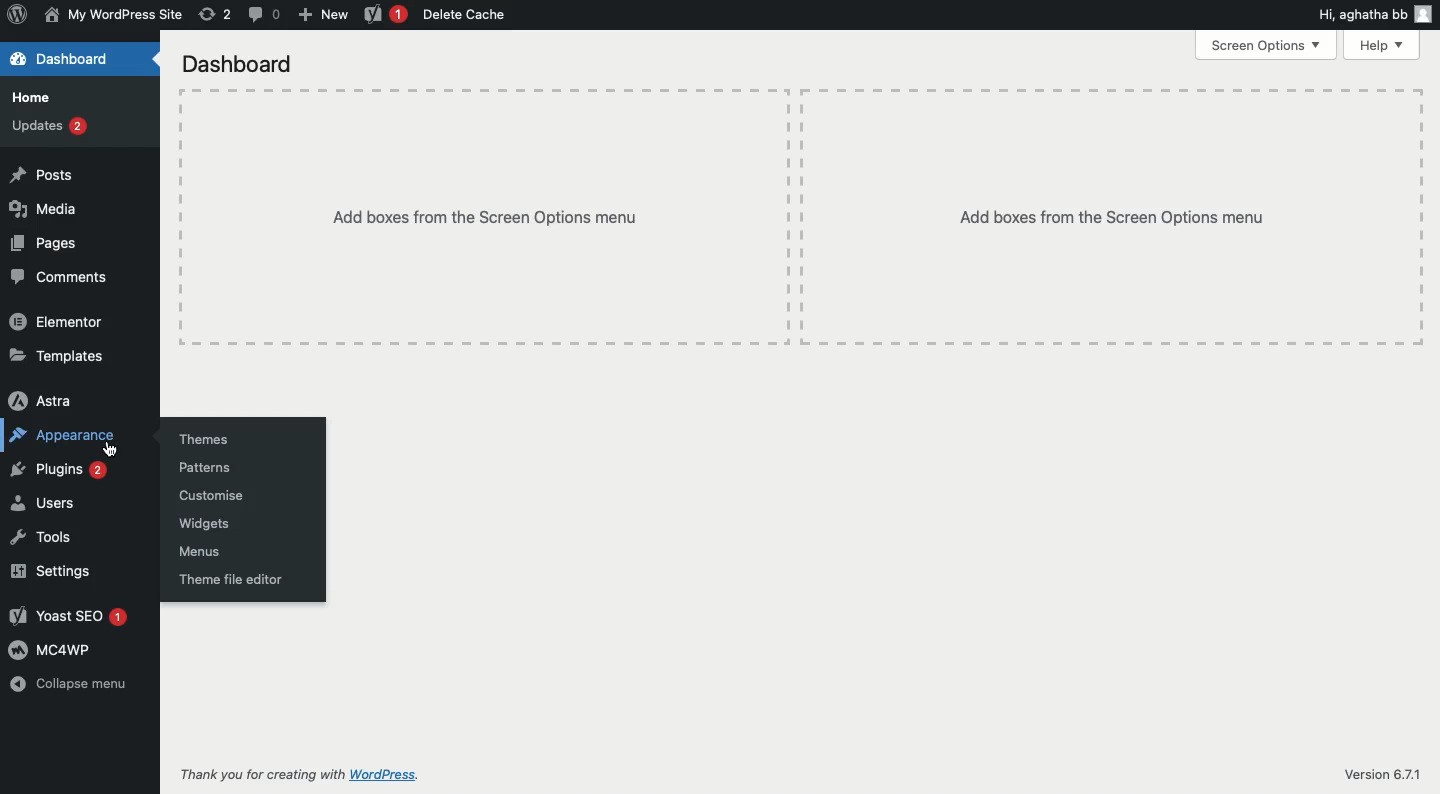 The height and width of the screenshot is (794, 1440). Describe the element at coordinates (1373, 14) in the screenshot. I see `Hi user` at that location.